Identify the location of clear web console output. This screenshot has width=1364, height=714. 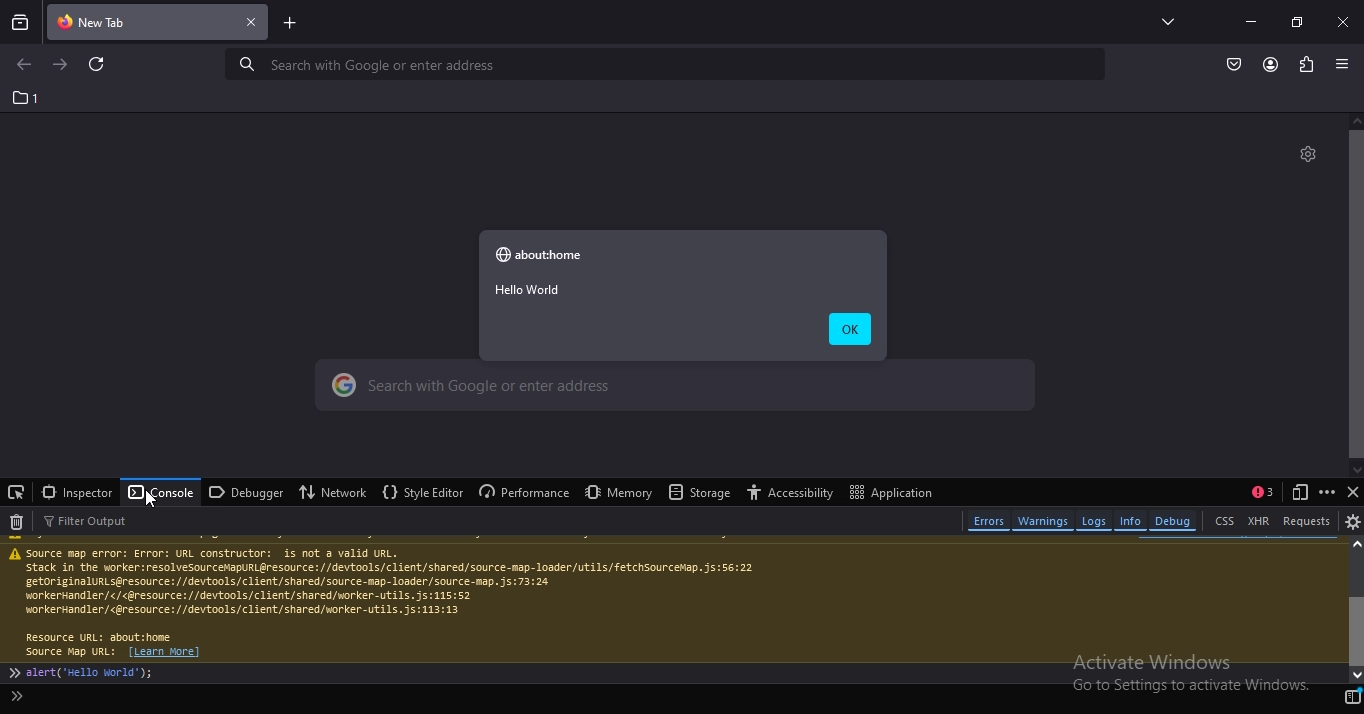
(17, 523).